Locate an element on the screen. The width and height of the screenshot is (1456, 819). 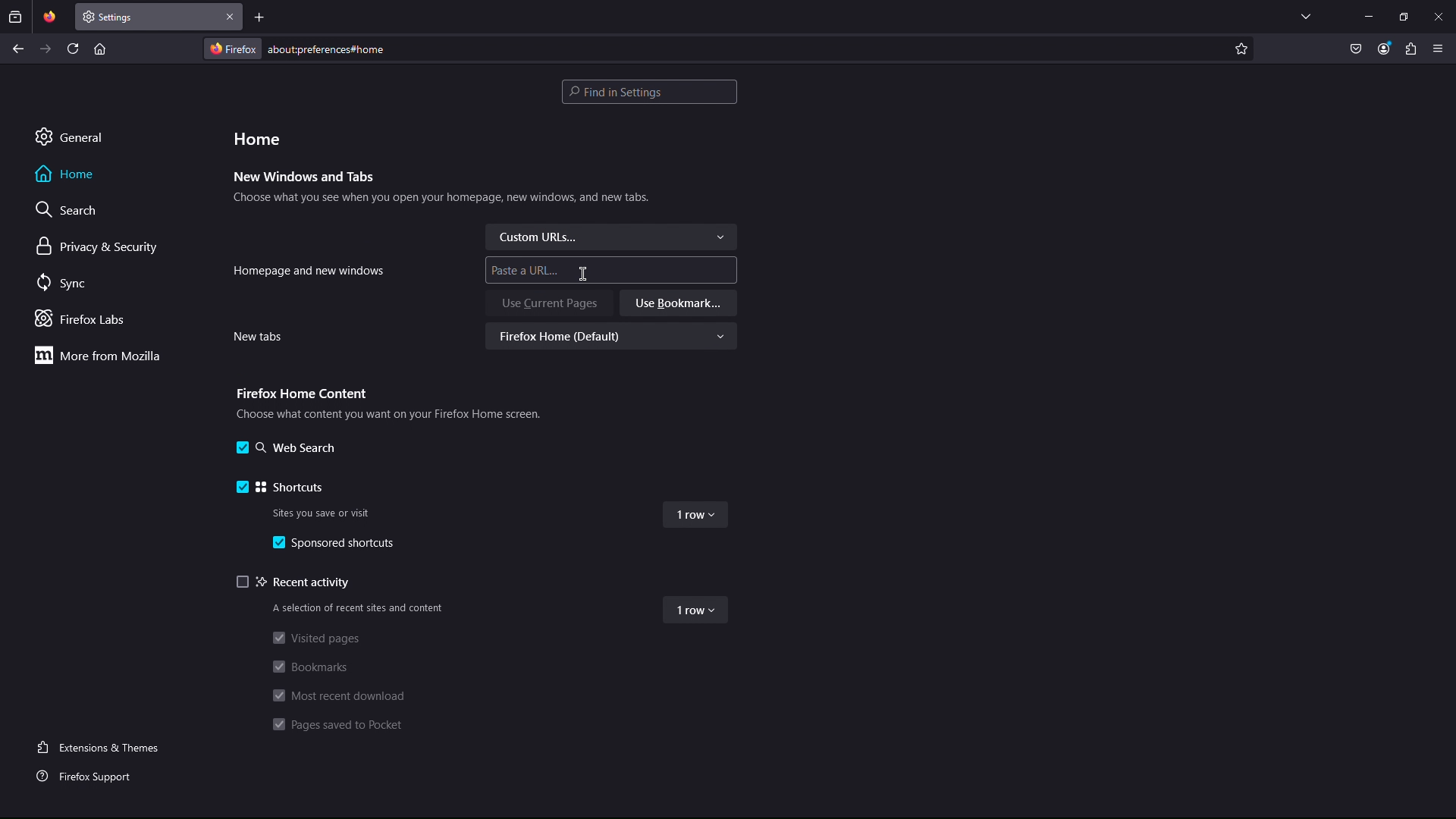
Close is located at coordinates (231, 17).